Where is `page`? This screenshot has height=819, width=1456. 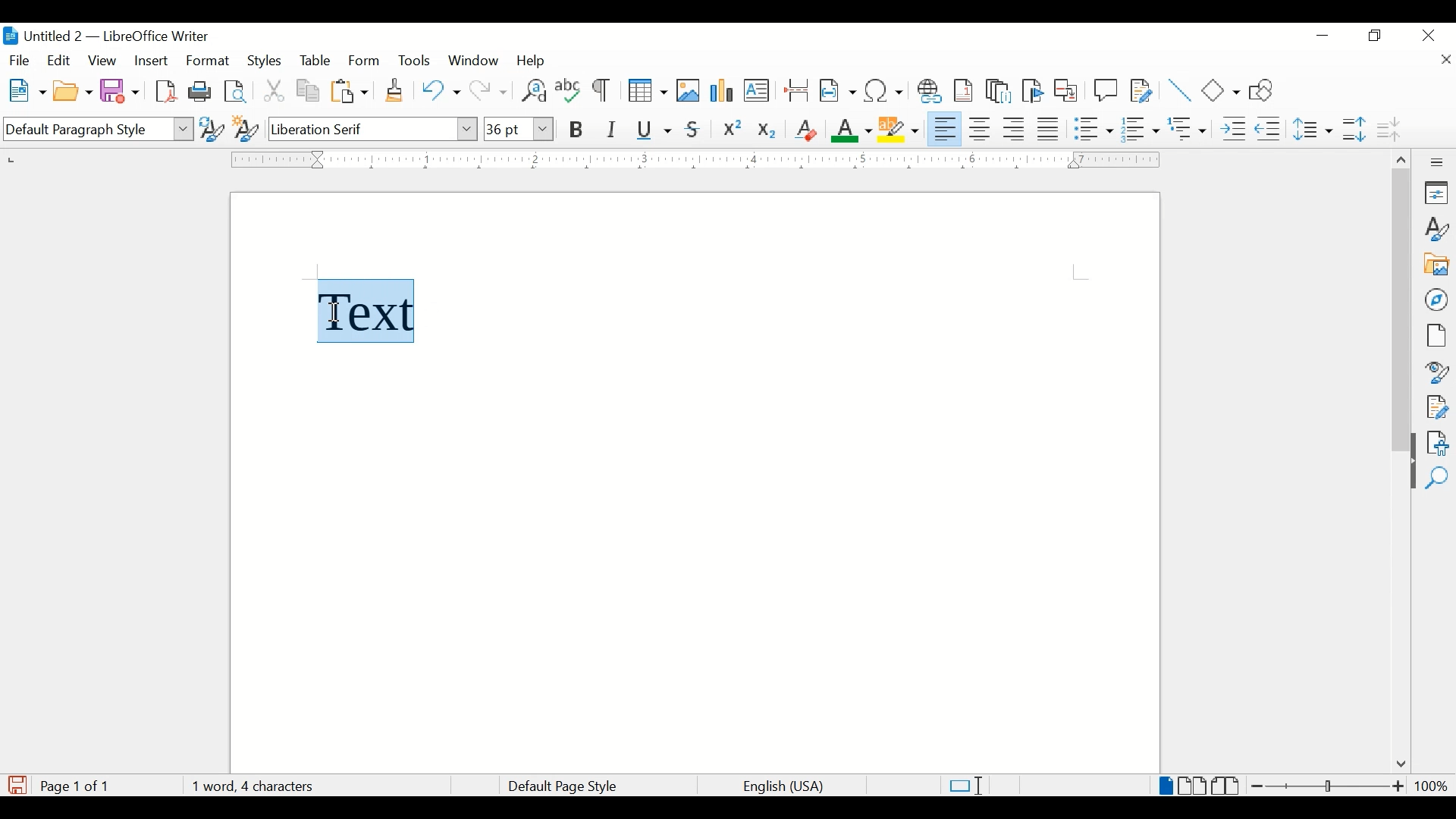
page is located at coordinates (1436, 335).